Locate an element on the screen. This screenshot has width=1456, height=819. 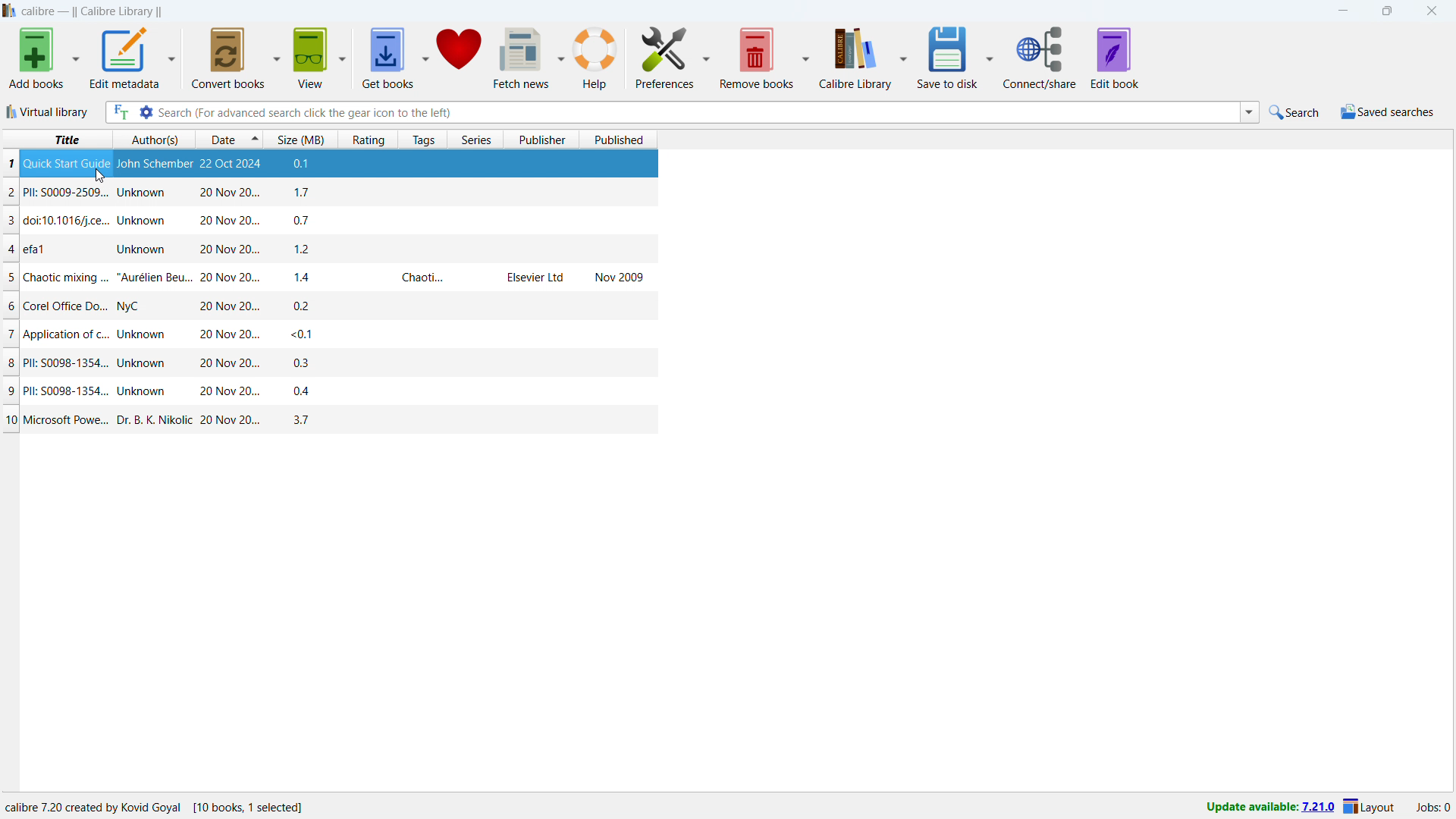
remove books is located at coordinates (757, 56).